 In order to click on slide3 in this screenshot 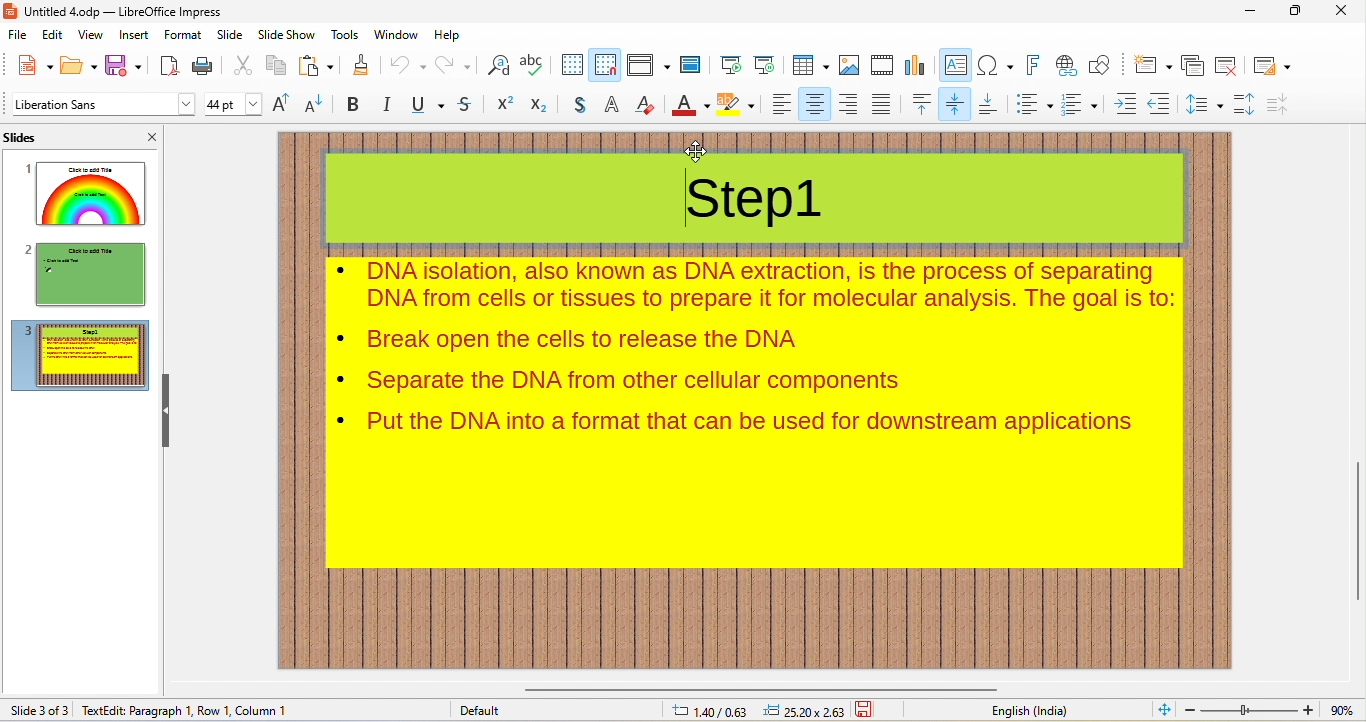, I will do `click(79, 355)`.